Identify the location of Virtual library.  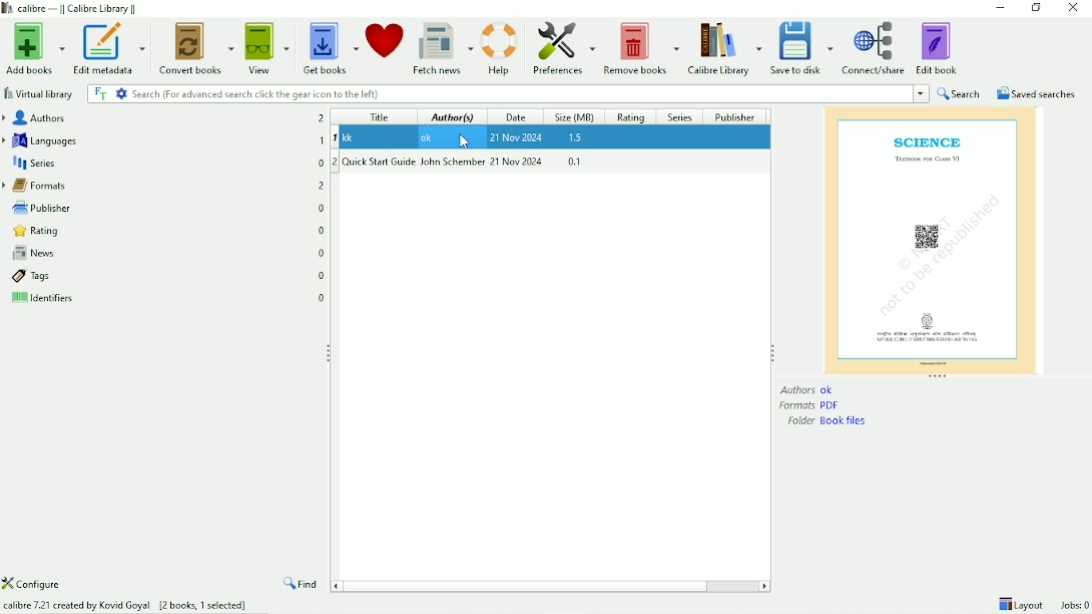
(38, 94).